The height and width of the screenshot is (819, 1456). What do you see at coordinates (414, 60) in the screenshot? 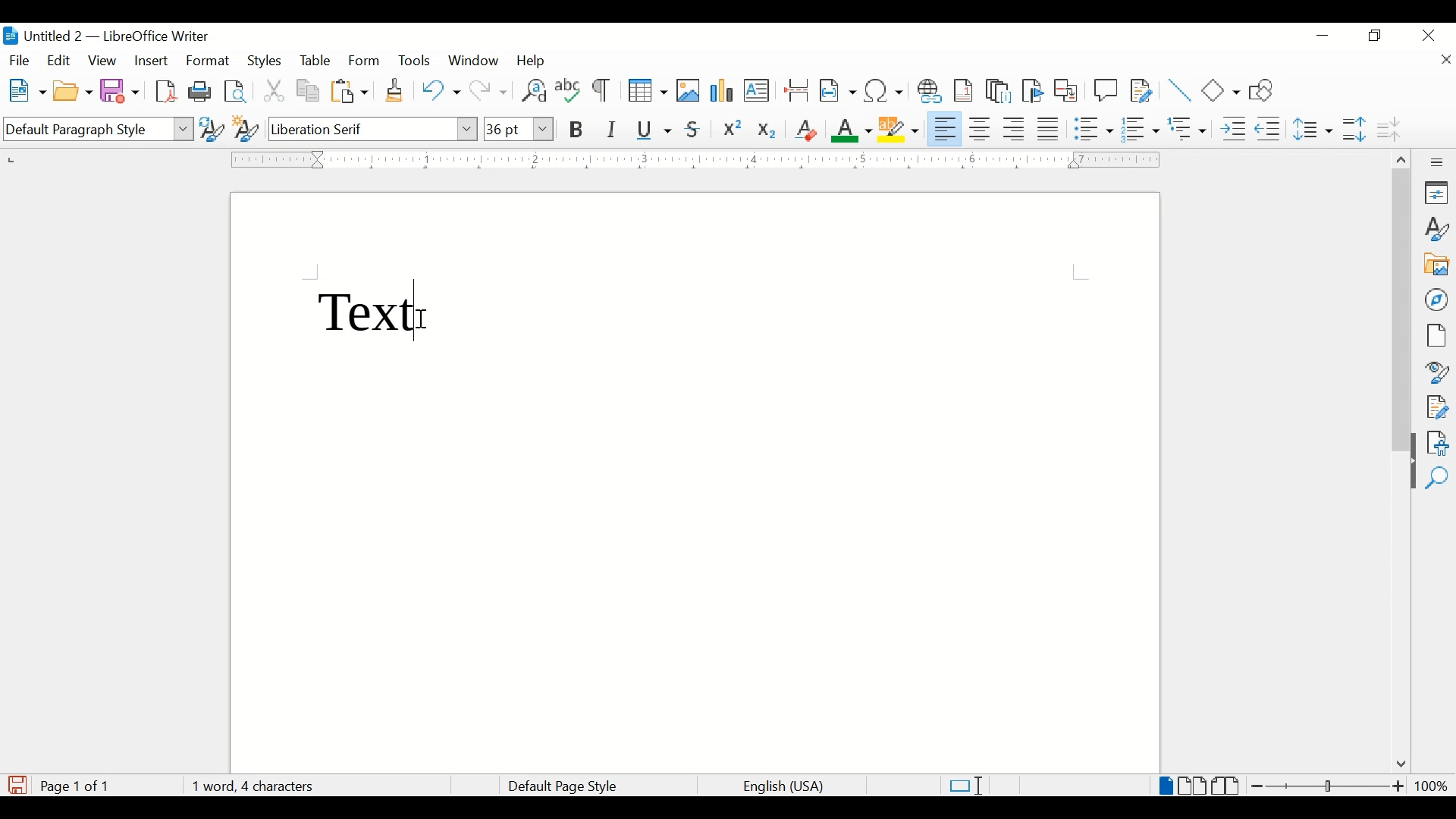
I see `tools` at bounding box center [414, 60].